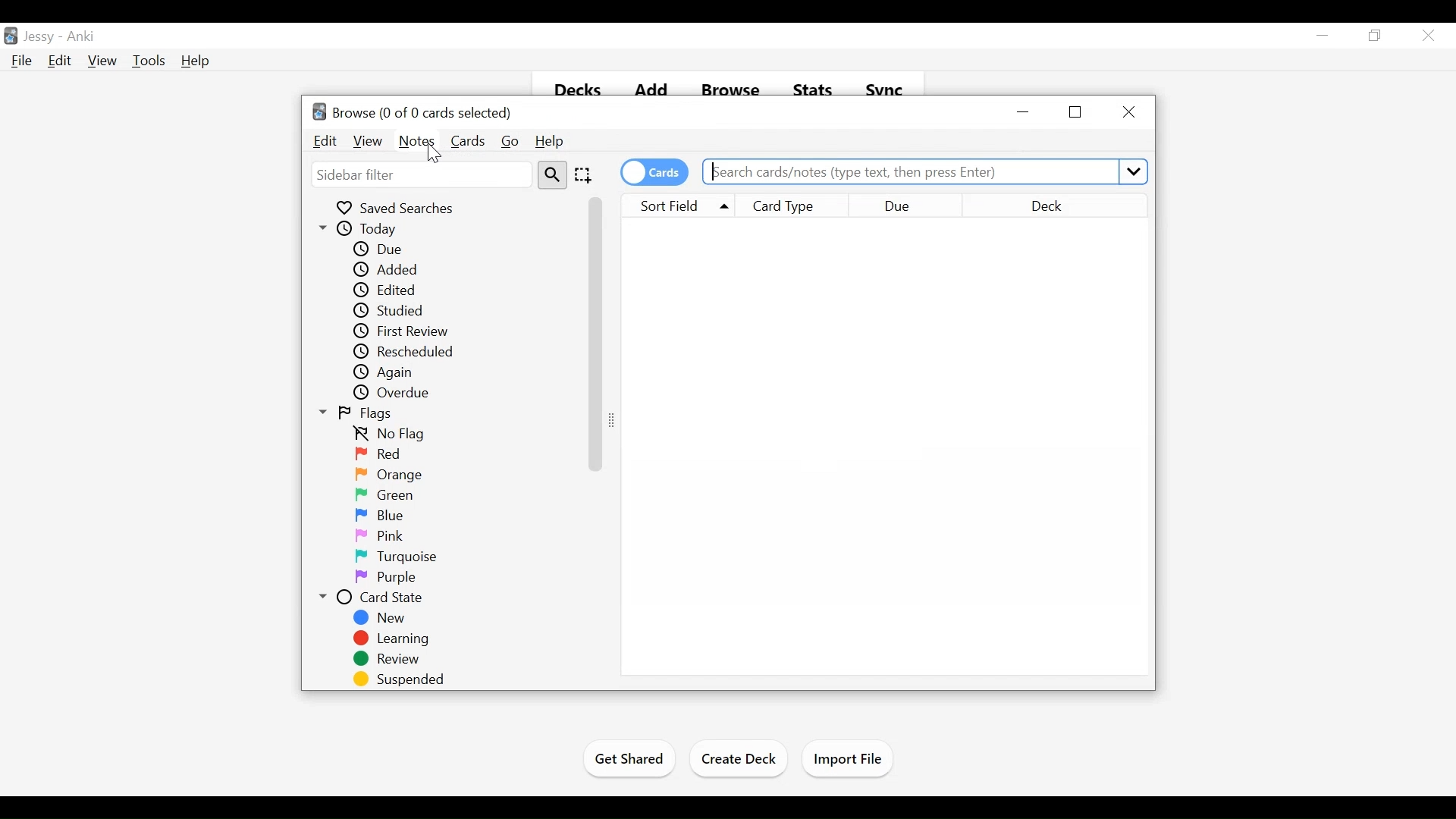 The image size is (1456, 819). Describe the element at coordinates (385, 474) in the screenshot. I see `Orange` at that location.